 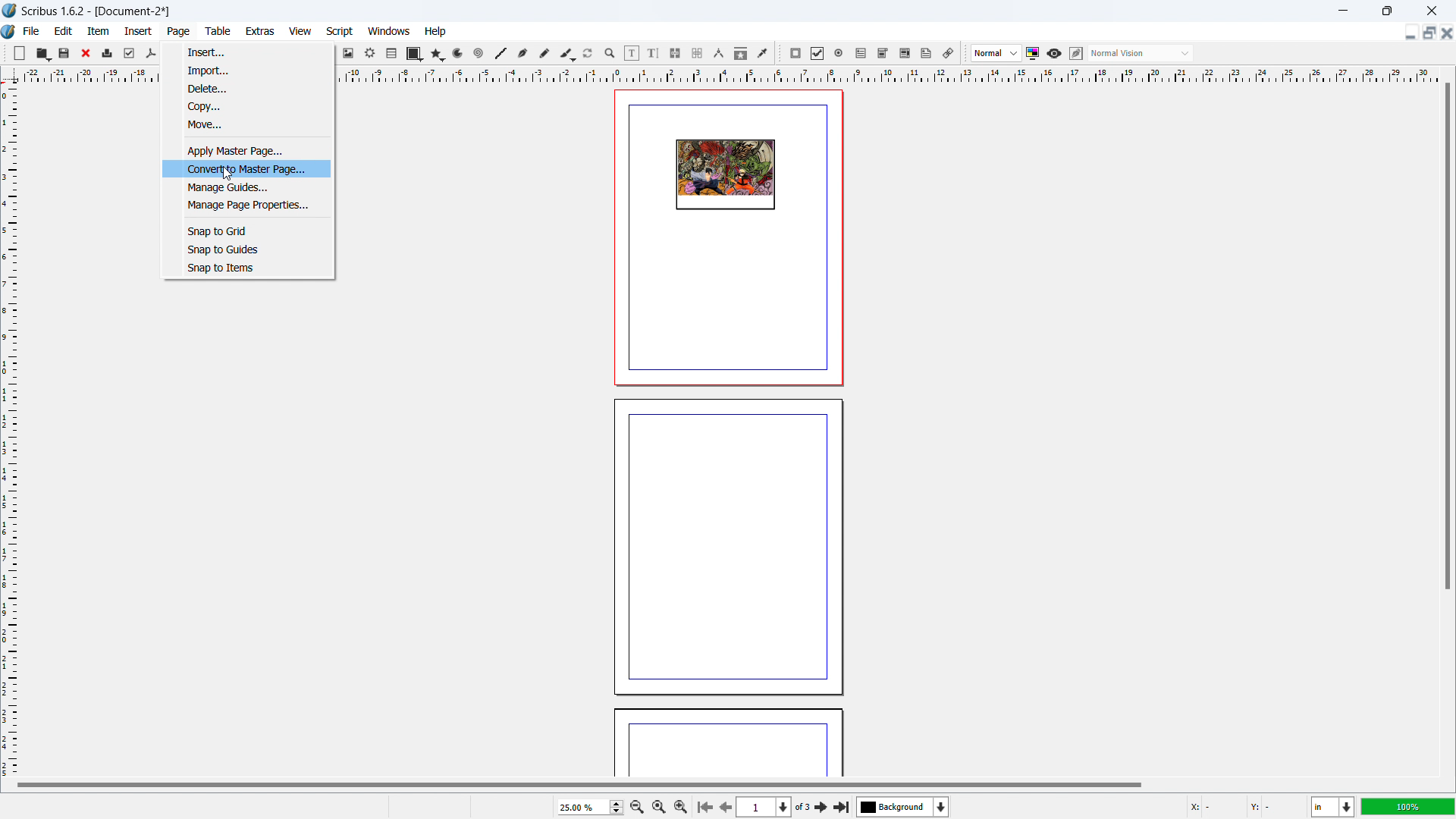 I want to click on line, so click(x=500, y=54).